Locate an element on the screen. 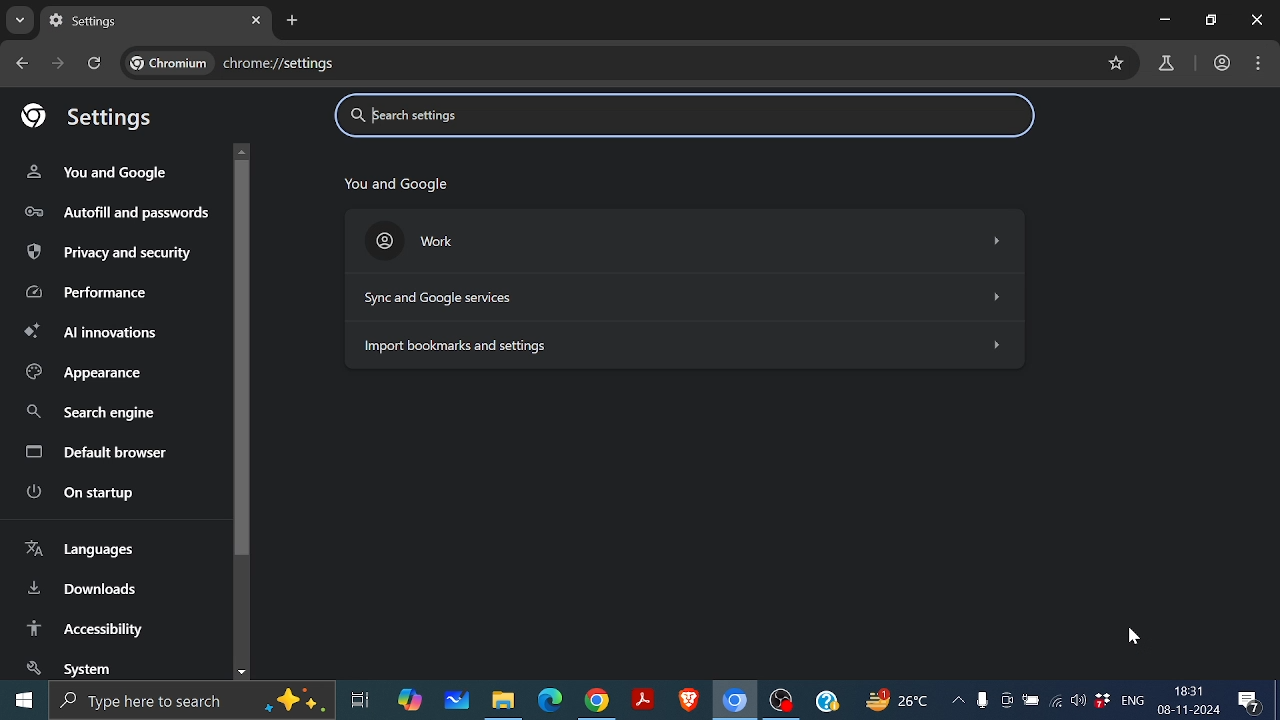 This screenshot has width=1280, height=720. Mark as favorite is located at coordinates (1116, 63).